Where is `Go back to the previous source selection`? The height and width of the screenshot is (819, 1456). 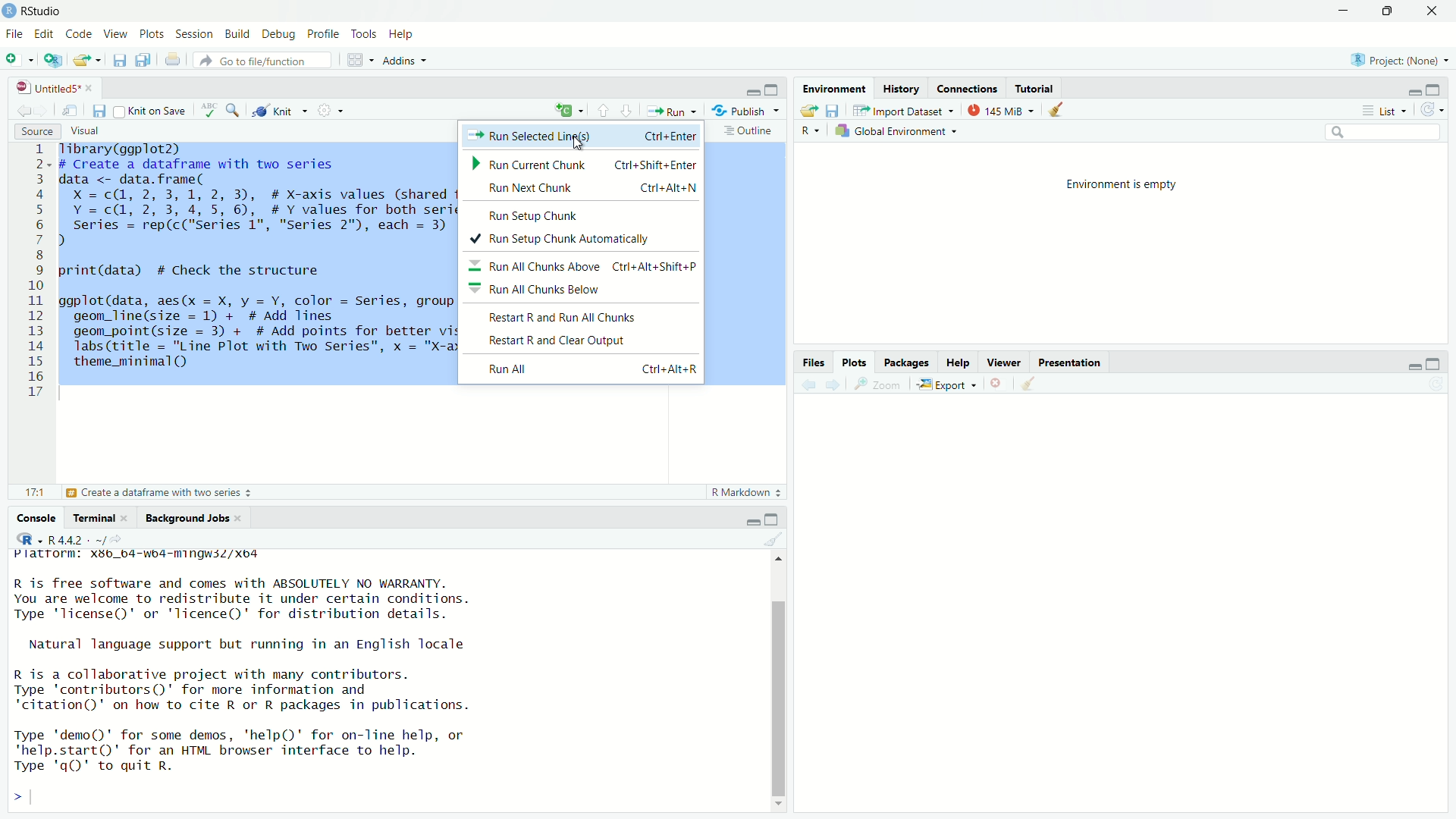
Go back to the previous source selection is located at coordinates (809, 384).